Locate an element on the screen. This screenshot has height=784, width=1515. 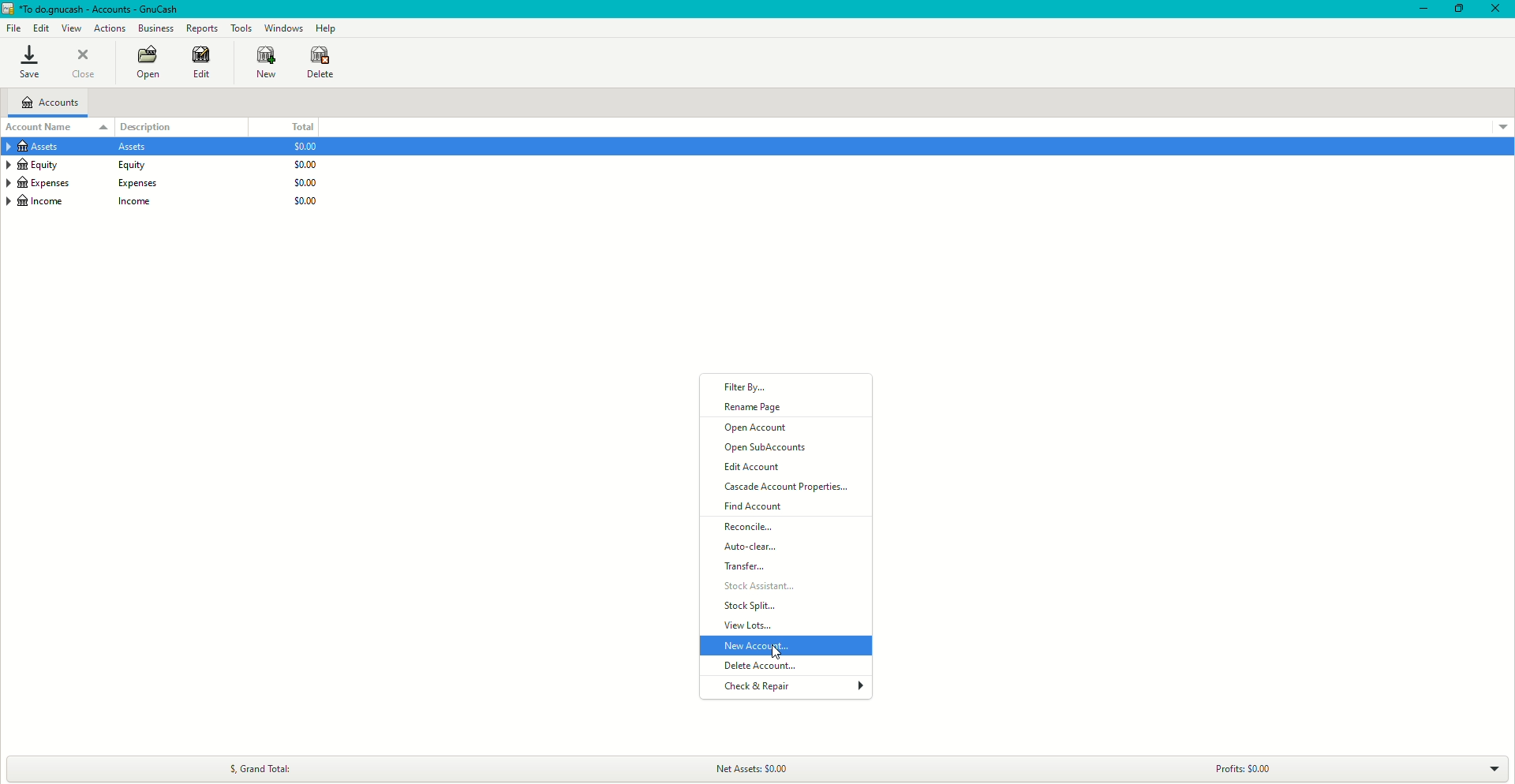
Open SubAccounts is located at coordinates (766, 449).